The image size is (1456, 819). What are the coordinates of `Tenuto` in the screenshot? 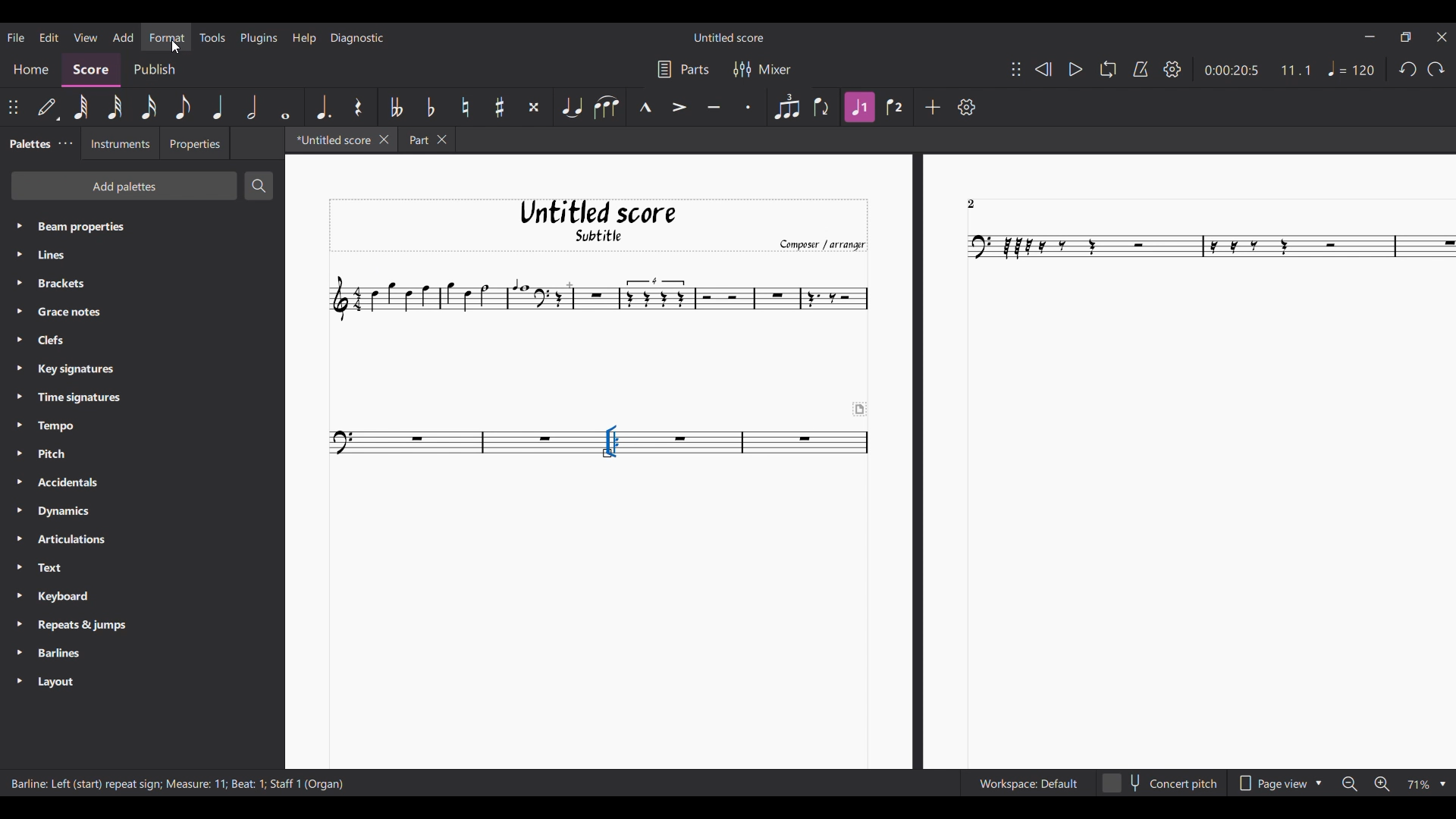 It's located at (714, 105).